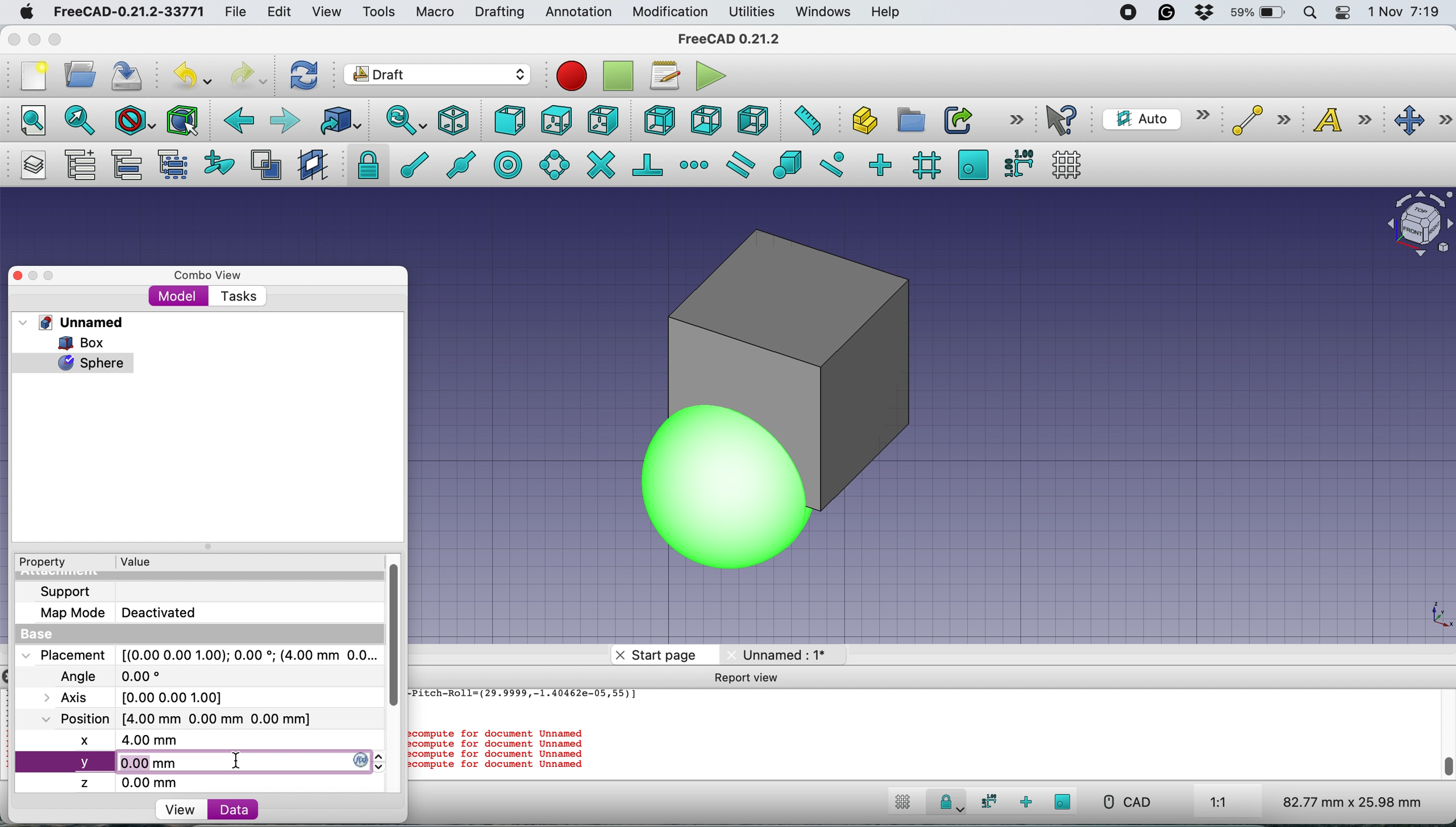 This screenshot has width=1456, height=827. Describe the element at coordinates (208, 275) in the screenshot. I see `combo view` at that location.